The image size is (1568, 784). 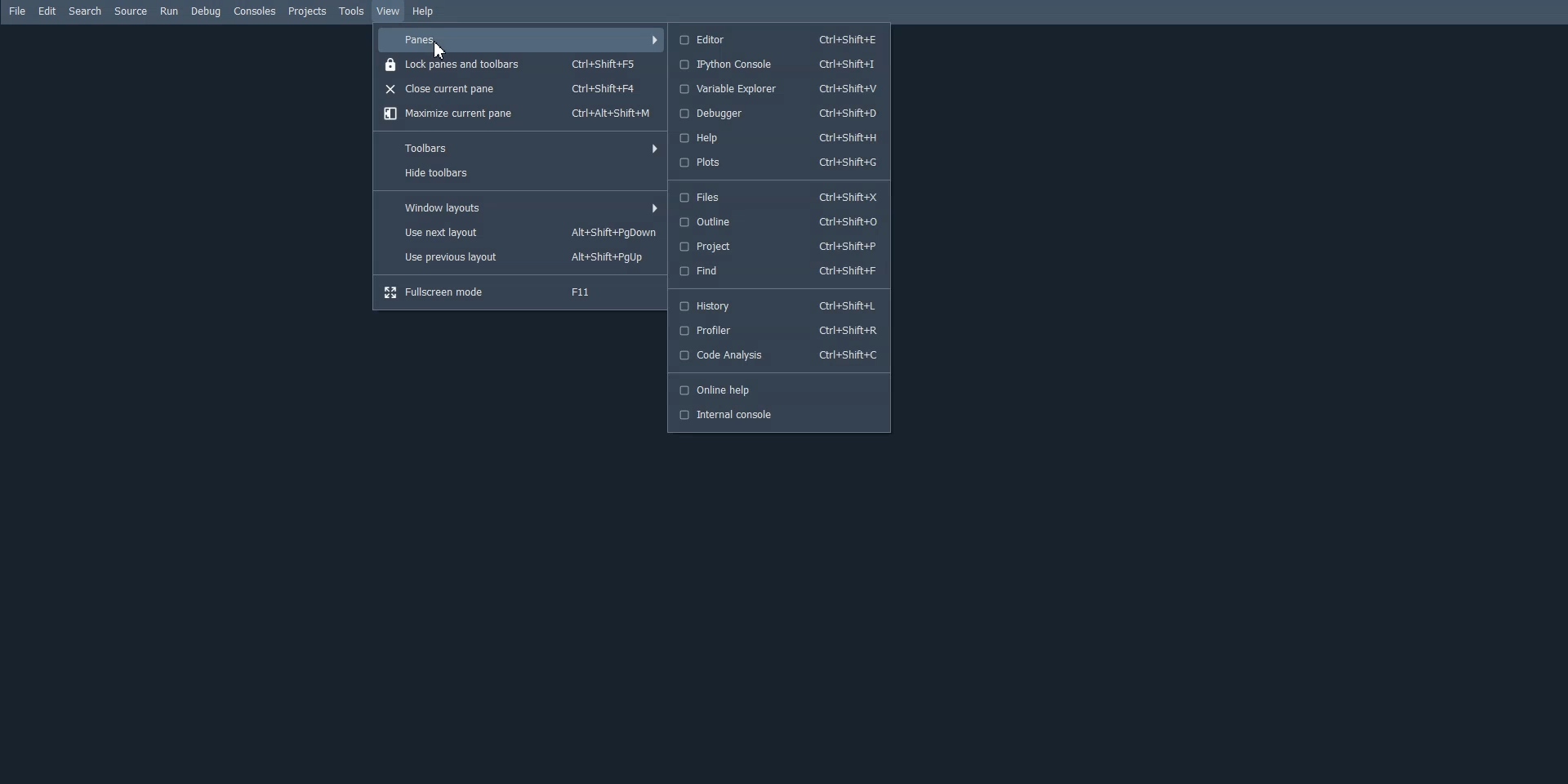 What do you see at coordinates (777, 64) in the screenshot?
I see `Ipython console` at bounding box center [777, 64].